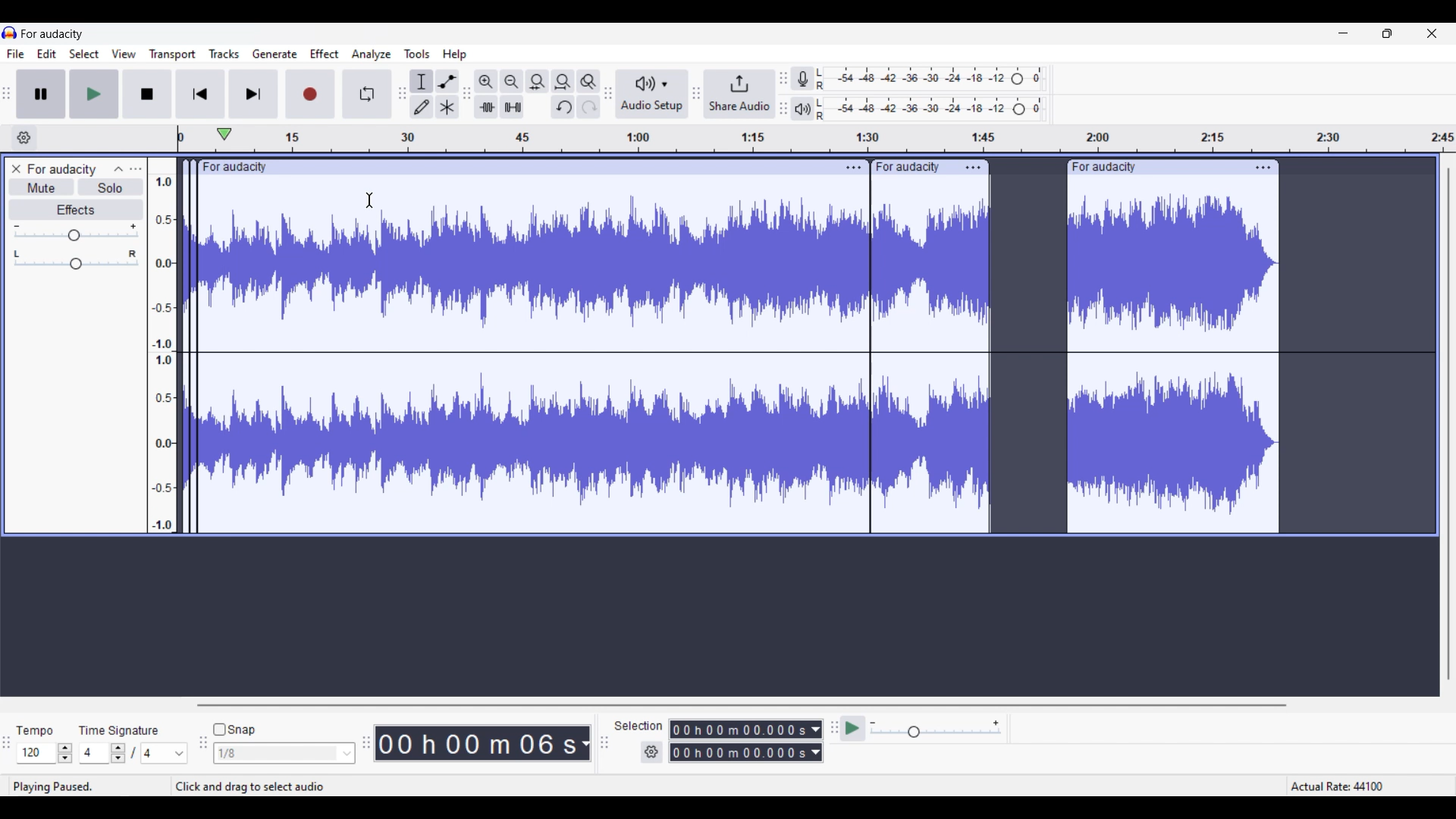 The image size is (1456, 819). Describe the element at coordinates (507, 165) in the screenshot. I see `click to drag` at that location.